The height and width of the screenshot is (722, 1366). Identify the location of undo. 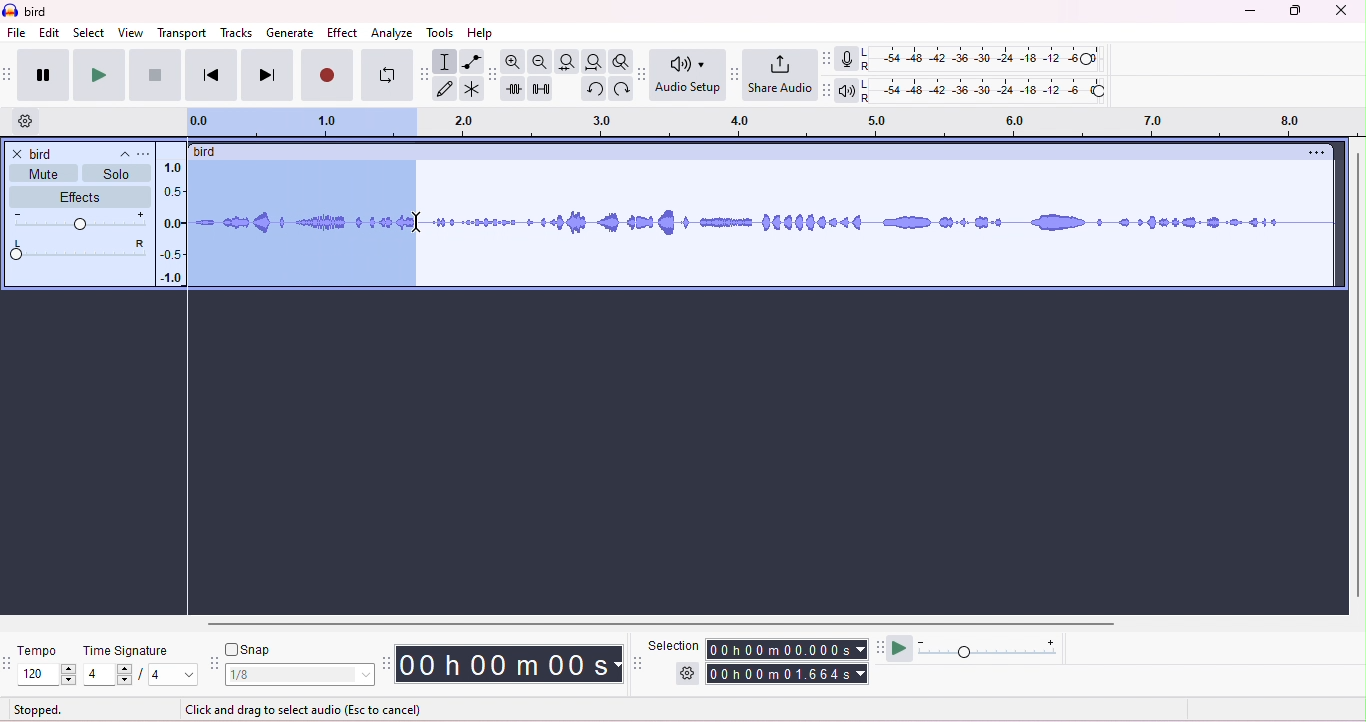
(595, 89).